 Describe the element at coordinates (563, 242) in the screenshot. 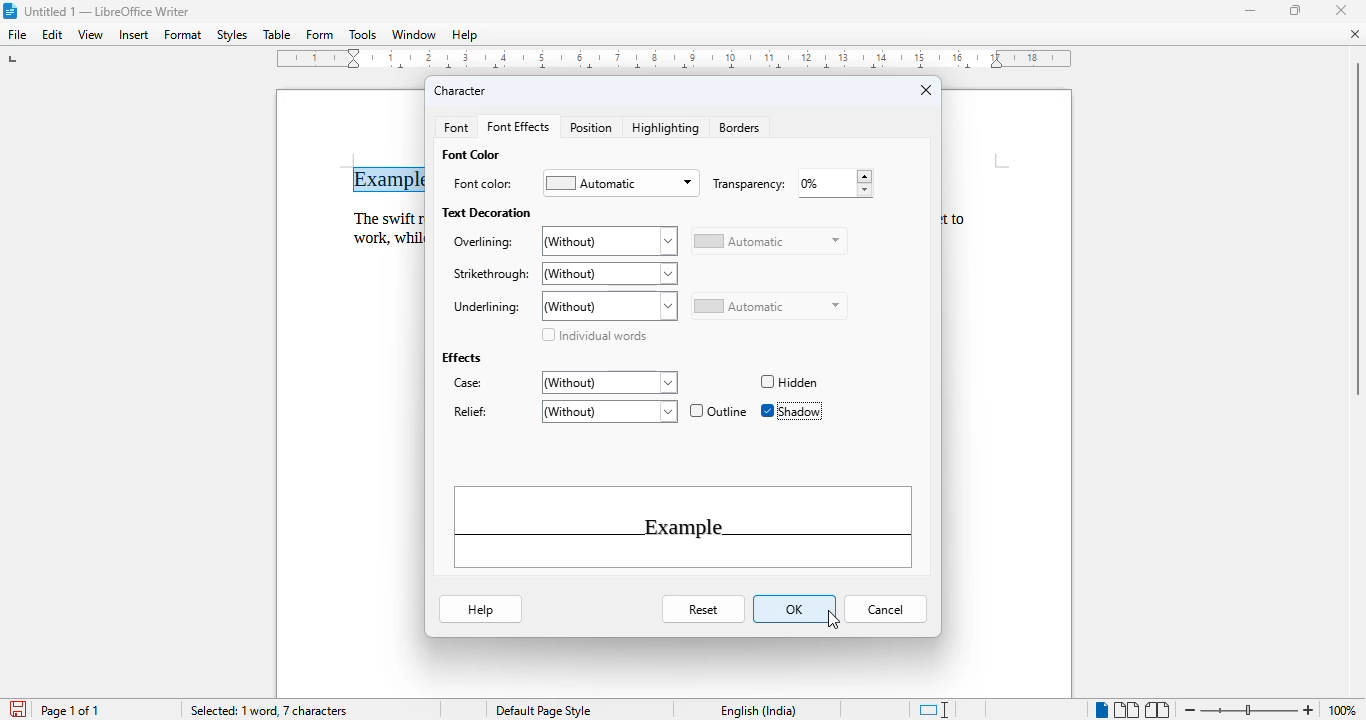

I see `overlining: (Without)` at that location.